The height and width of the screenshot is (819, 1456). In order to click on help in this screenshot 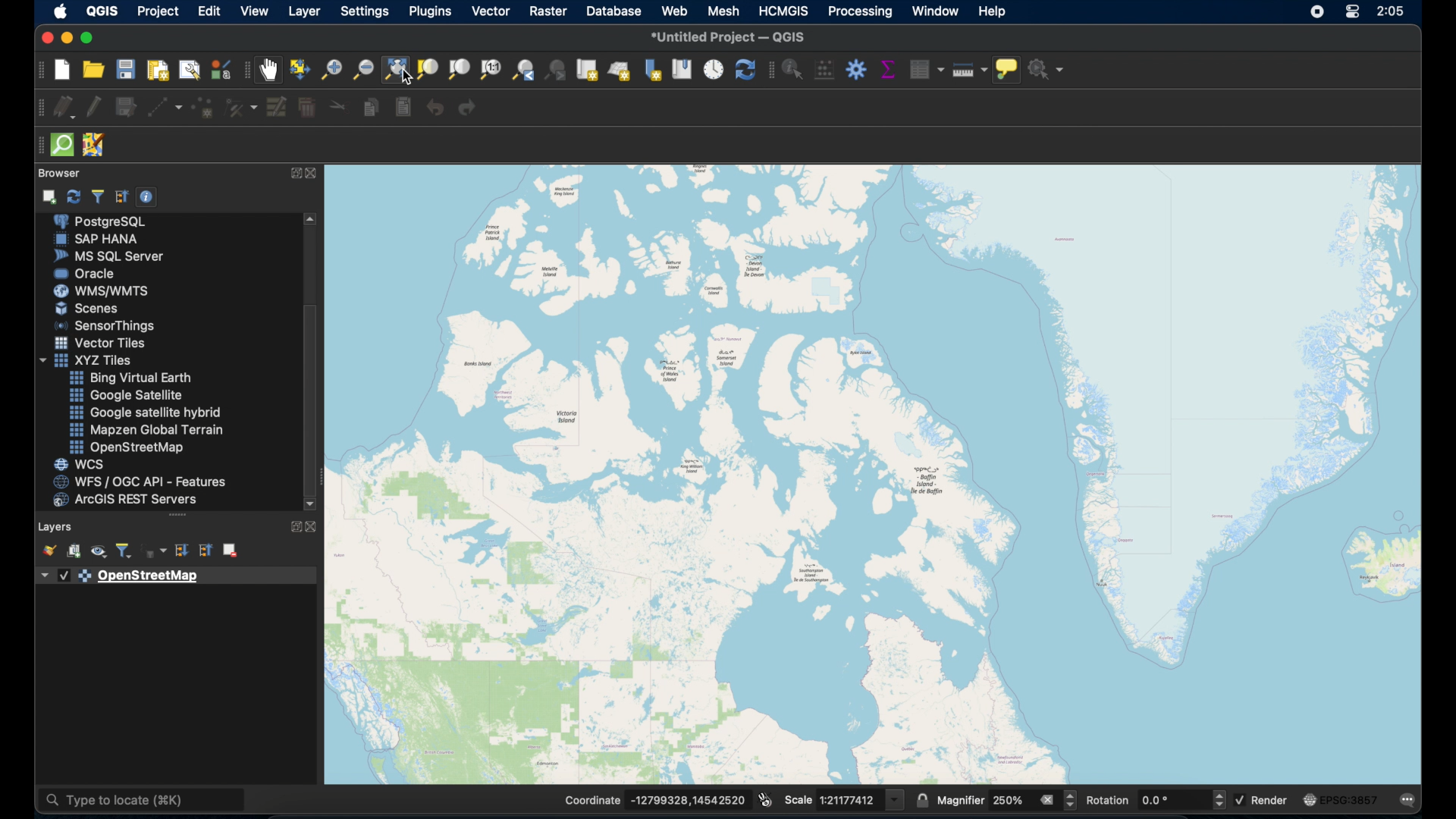, I will do `click(994, 13)`.